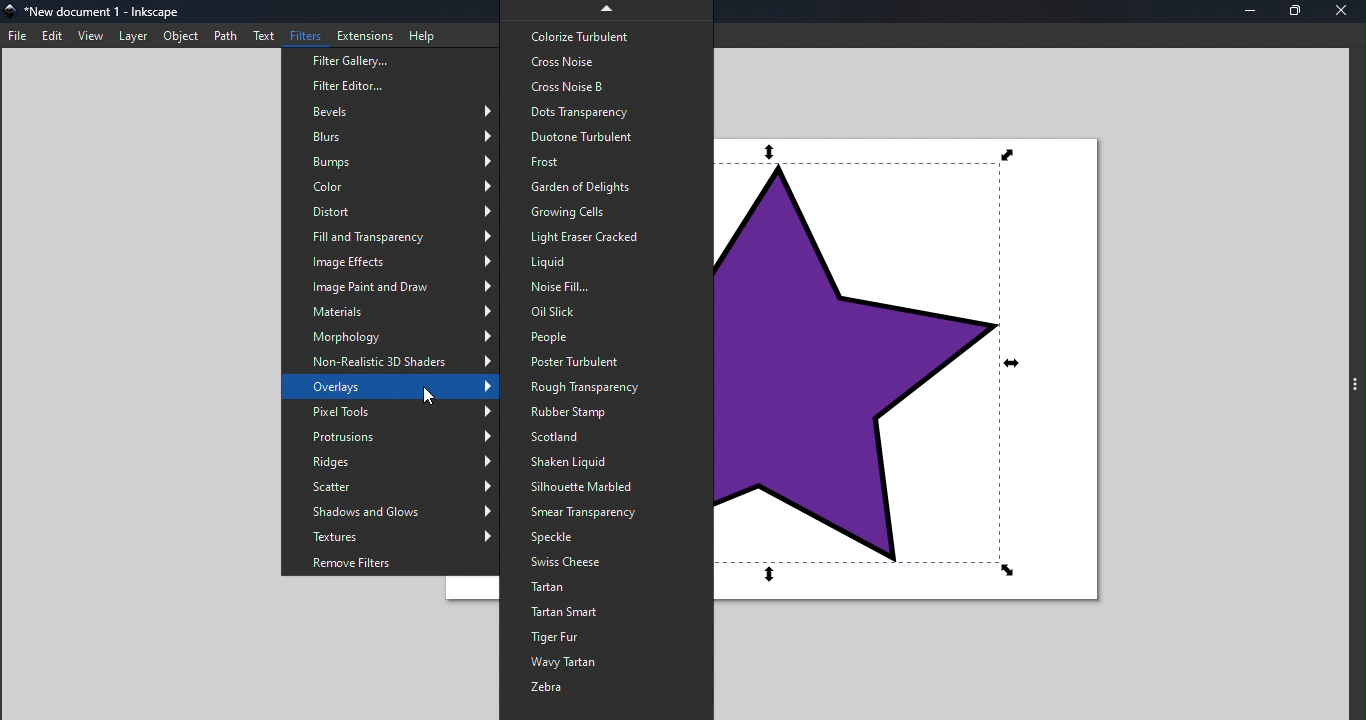  What do you see at coordinates (385, 86) in the screenshot?
I see `Filter editor` at bounding box center [385, 86].